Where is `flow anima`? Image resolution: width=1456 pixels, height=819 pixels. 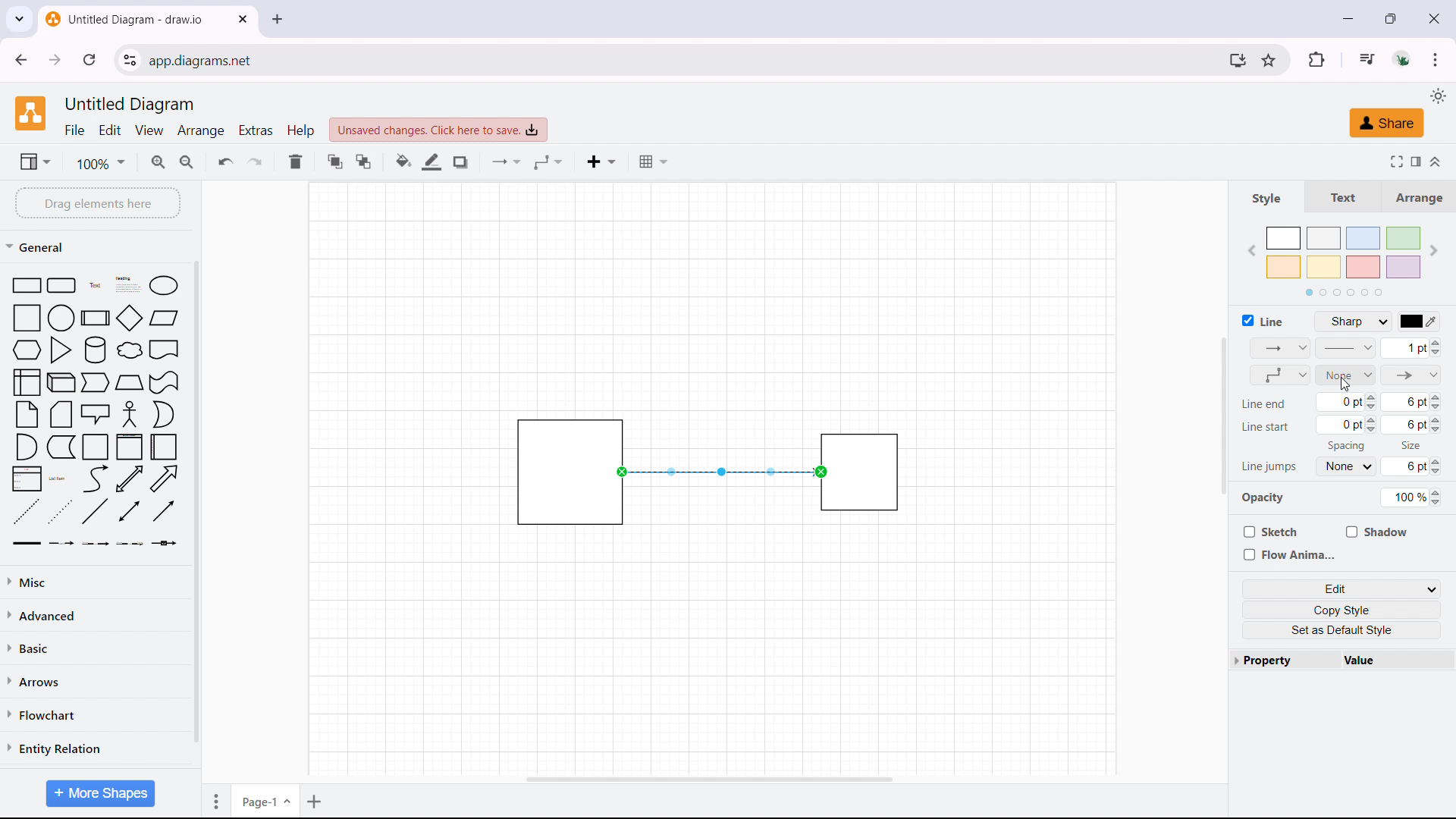
flow anima is located at coordinates (1286, 554).